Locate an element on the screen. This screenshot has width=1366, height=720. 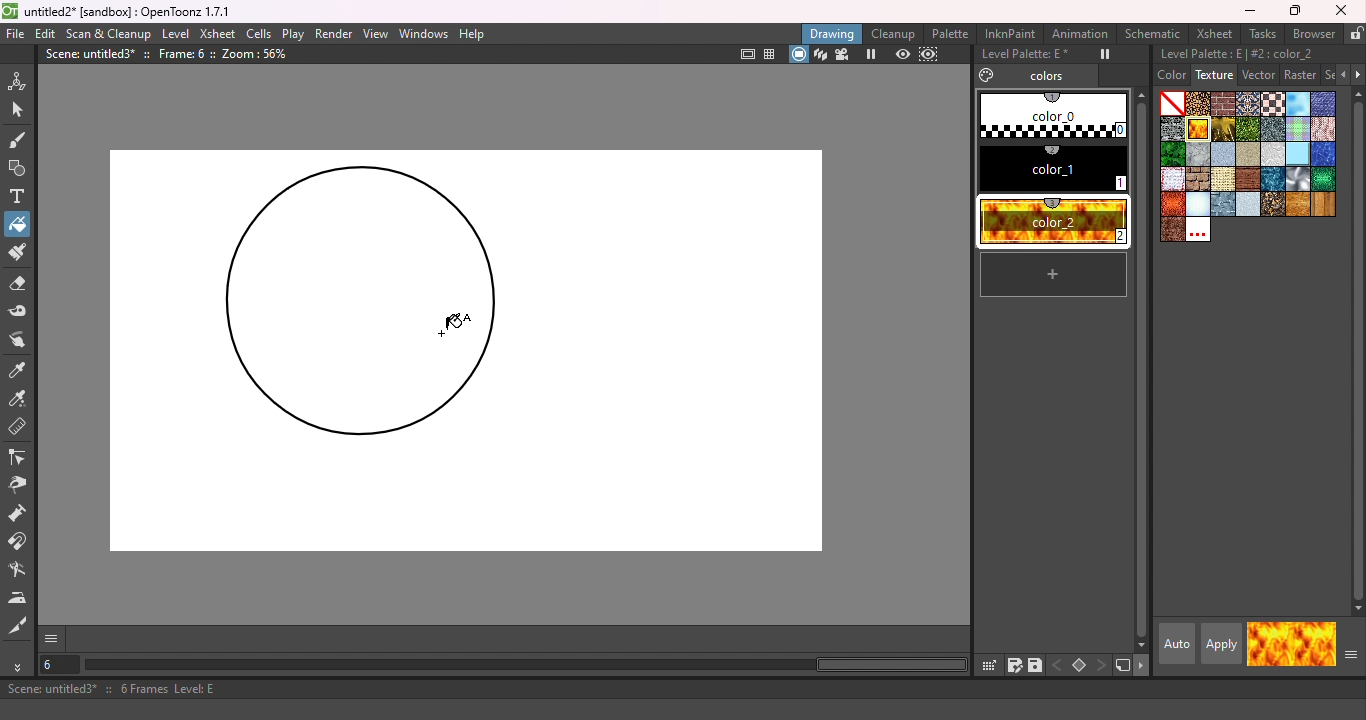
Control point editor tool is located at coordinates (18, 456).